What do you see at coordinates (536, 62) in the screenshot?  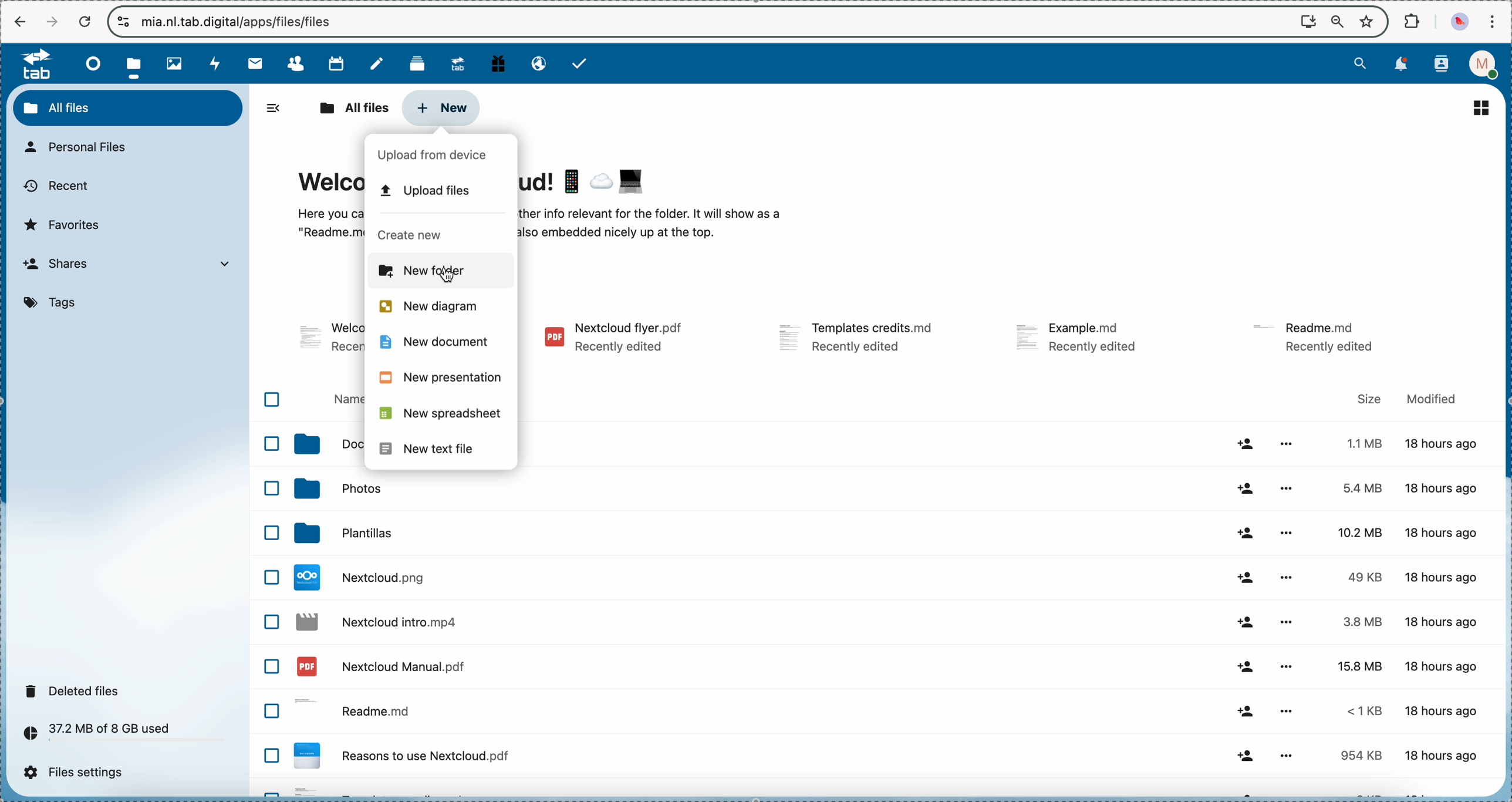 I see `email` at bounding box center [536, 62].